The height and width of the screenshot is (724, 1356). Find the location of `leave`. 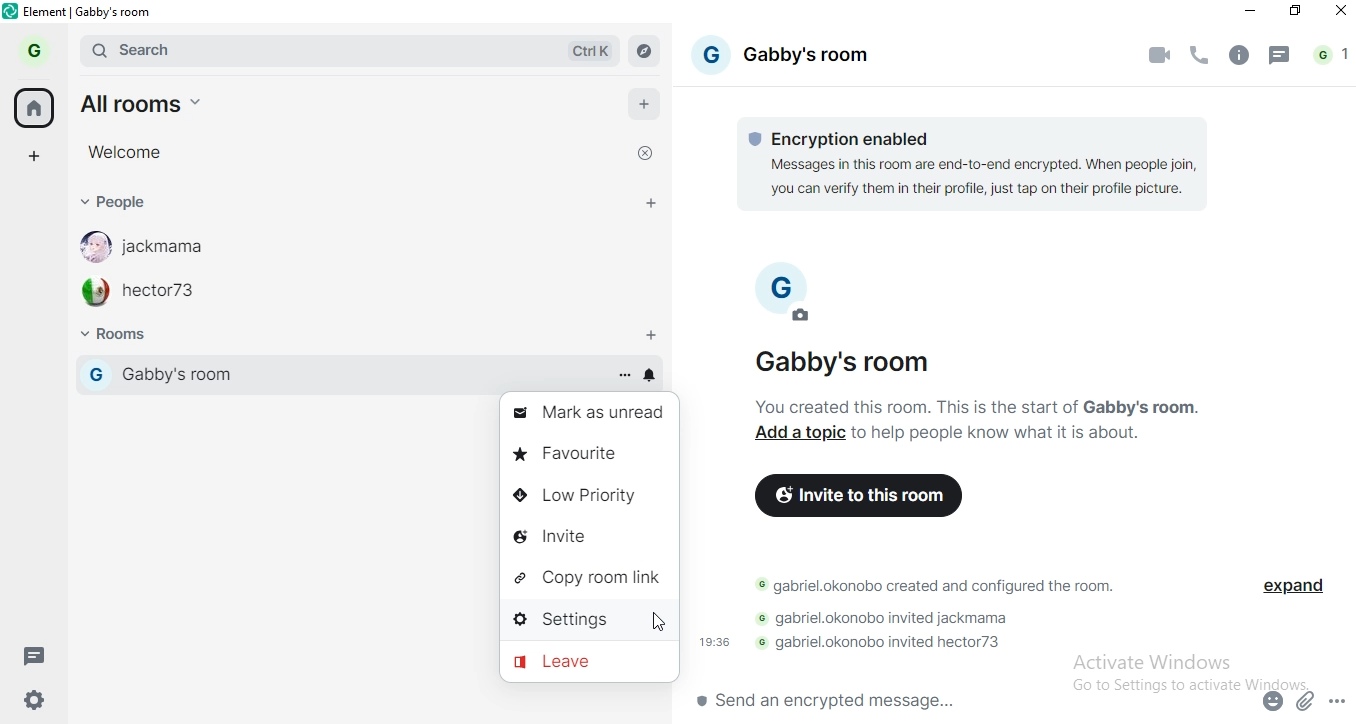

leave is located at coordinates (592, 666).